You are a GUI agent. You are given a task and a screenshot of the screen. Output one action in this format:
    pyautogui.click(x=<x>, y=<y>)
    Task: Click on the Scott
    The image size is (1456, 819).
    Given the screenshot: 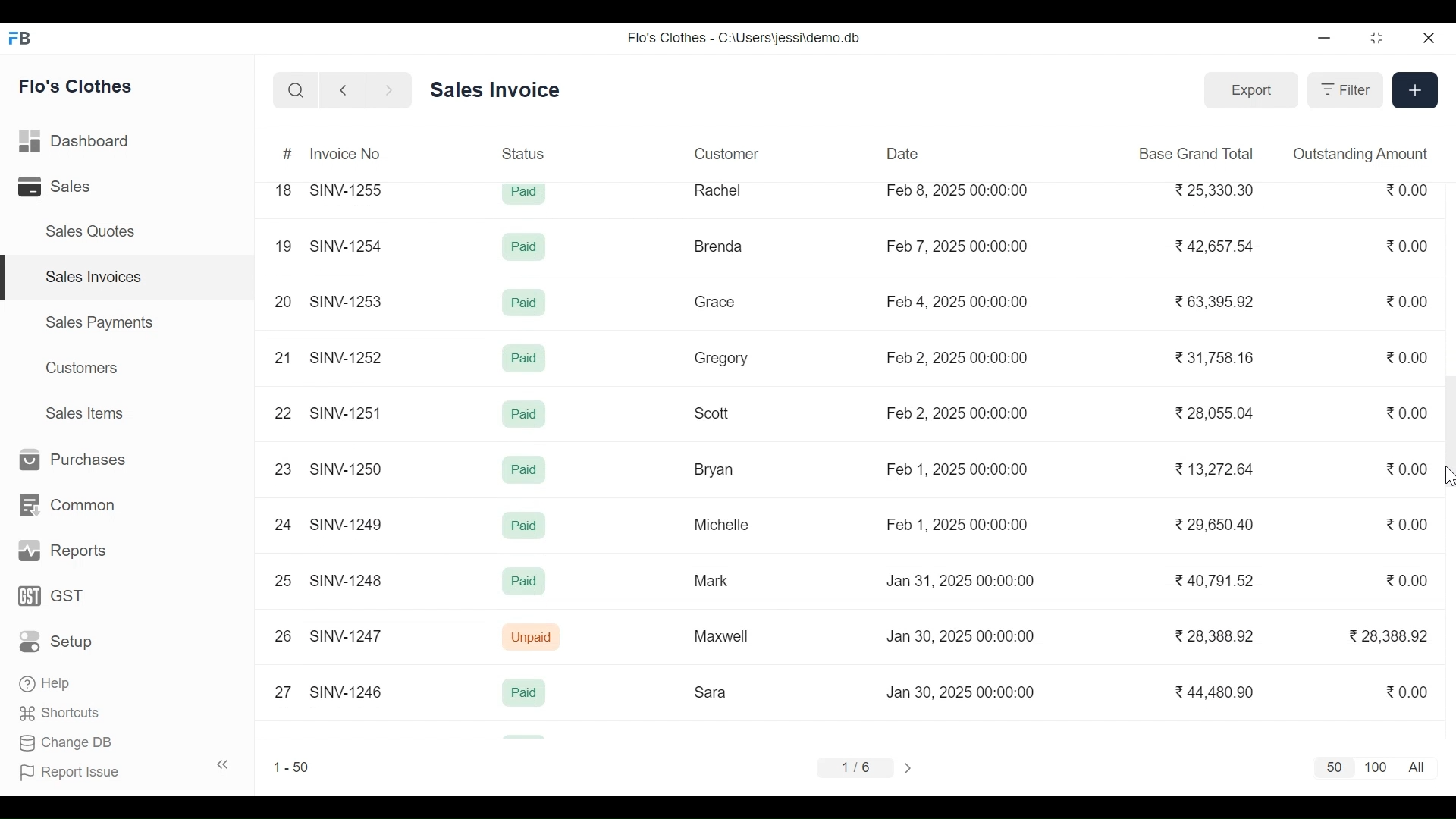 What is the action you would take?
    pyautogui.click(x=713, y=411)
    